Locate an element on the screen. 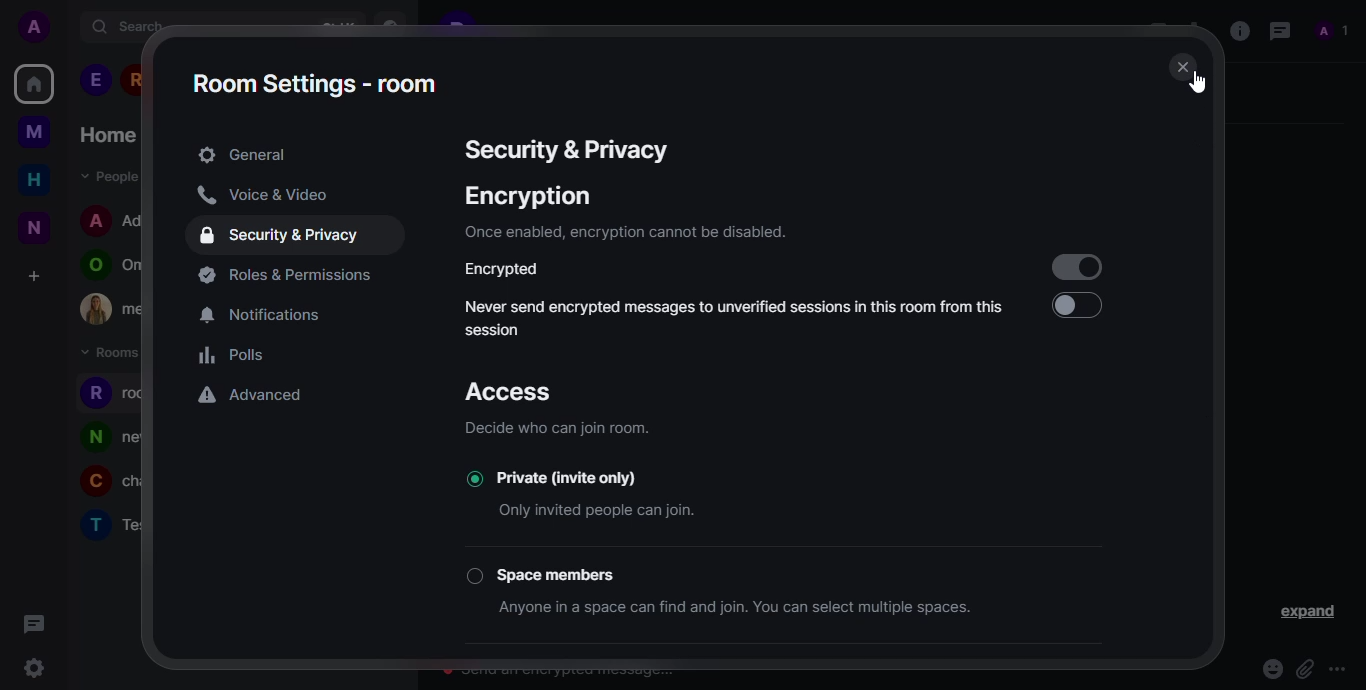  home is located at coordinates (34, 179).